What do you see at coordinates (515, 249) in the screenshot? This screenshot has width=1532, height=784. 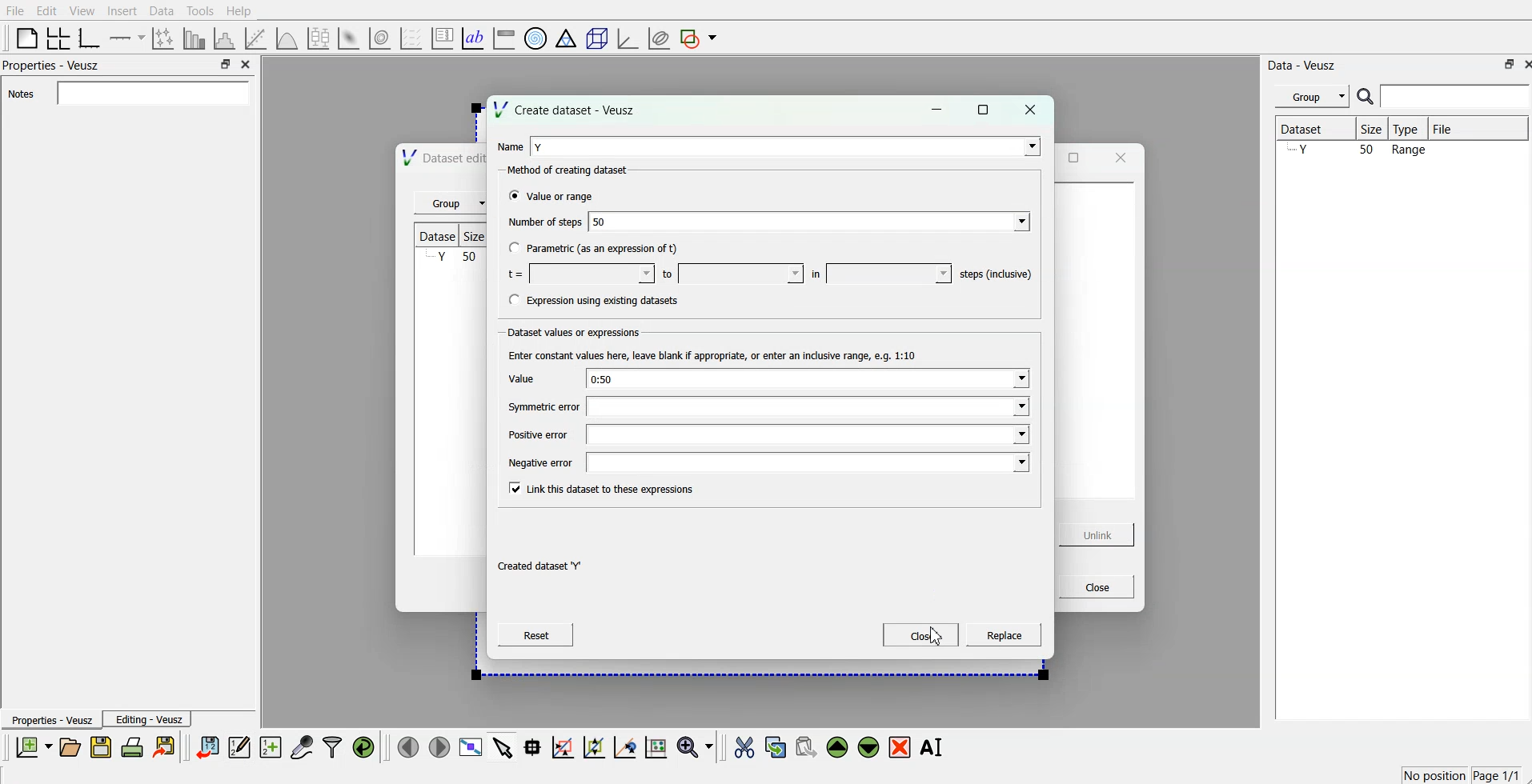 I see `checkbox` at bounding box center [515, 249].